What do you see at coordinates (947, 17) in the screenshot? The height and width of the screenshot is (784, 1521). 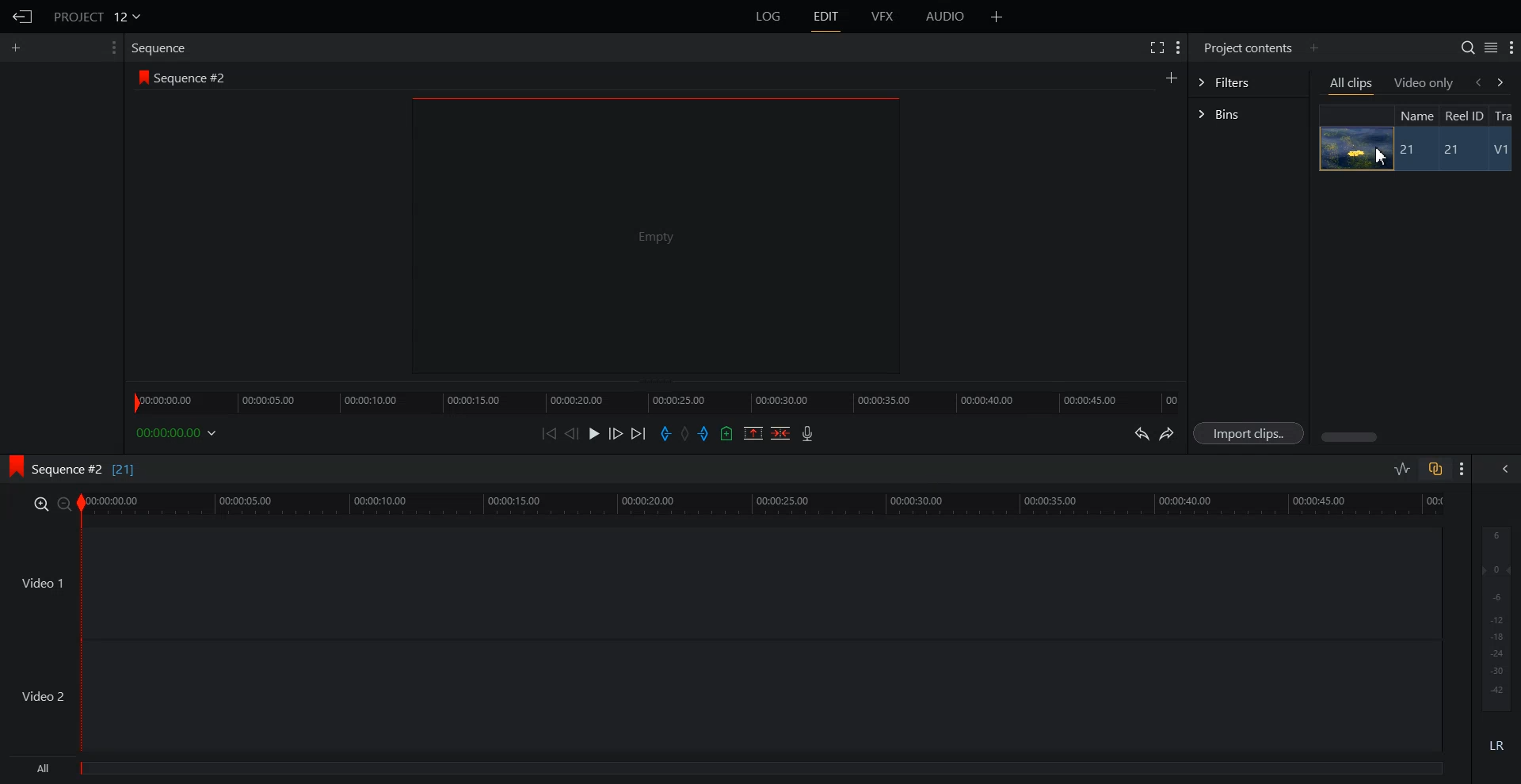 I see `AUDIO` at bounding box center [947, 17].